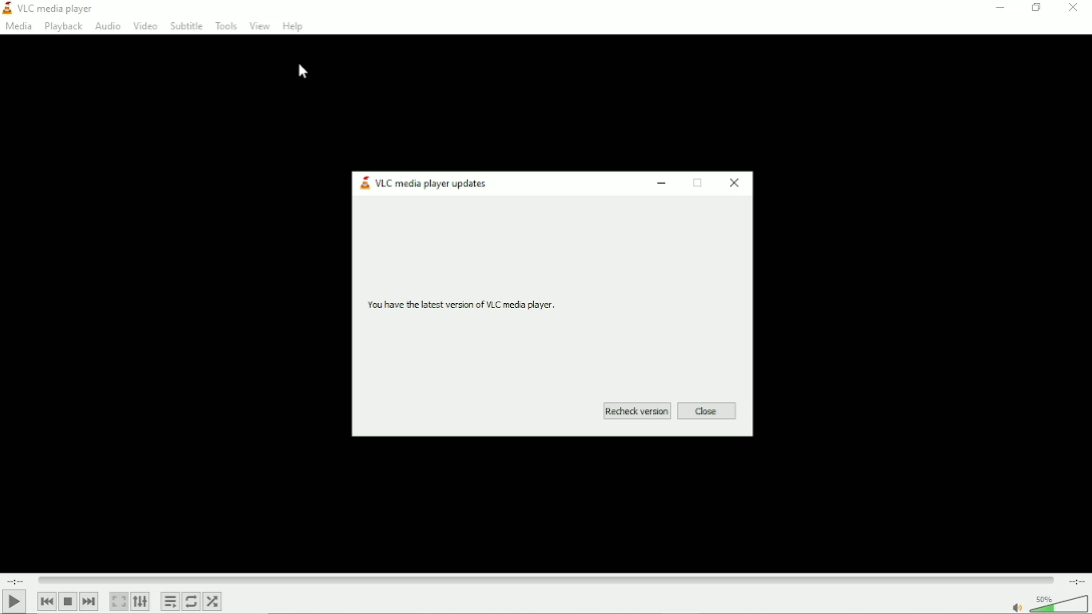 The height and width of the screenshot is (614, 1092). What do you see at coordinates (186, 25) in the screenshot?
I see `Subtitle` at bounding box center [186, 25].